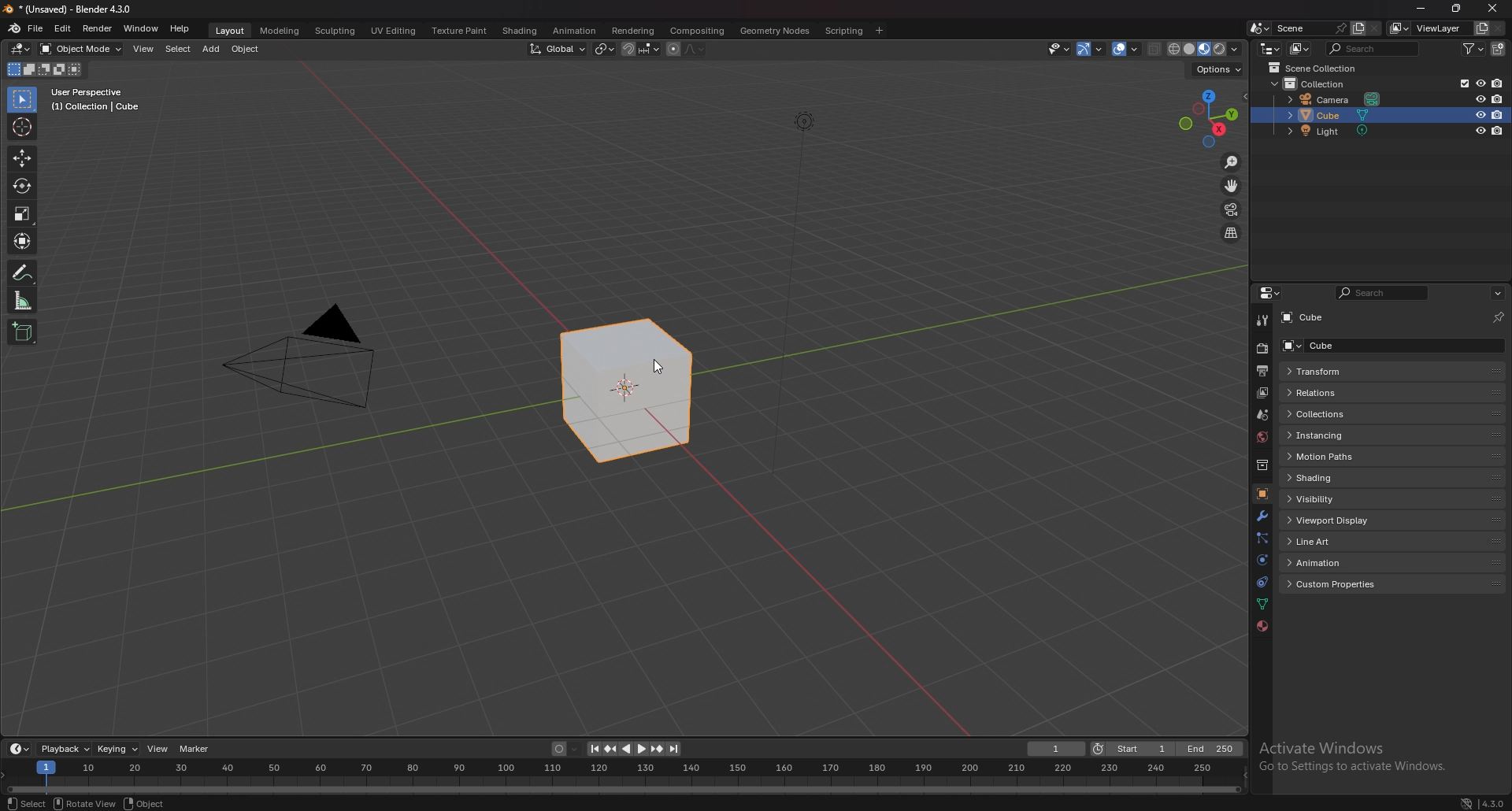 This screenshot has width=1512, height=811. I want to click on add workspace, so click(879, 31).